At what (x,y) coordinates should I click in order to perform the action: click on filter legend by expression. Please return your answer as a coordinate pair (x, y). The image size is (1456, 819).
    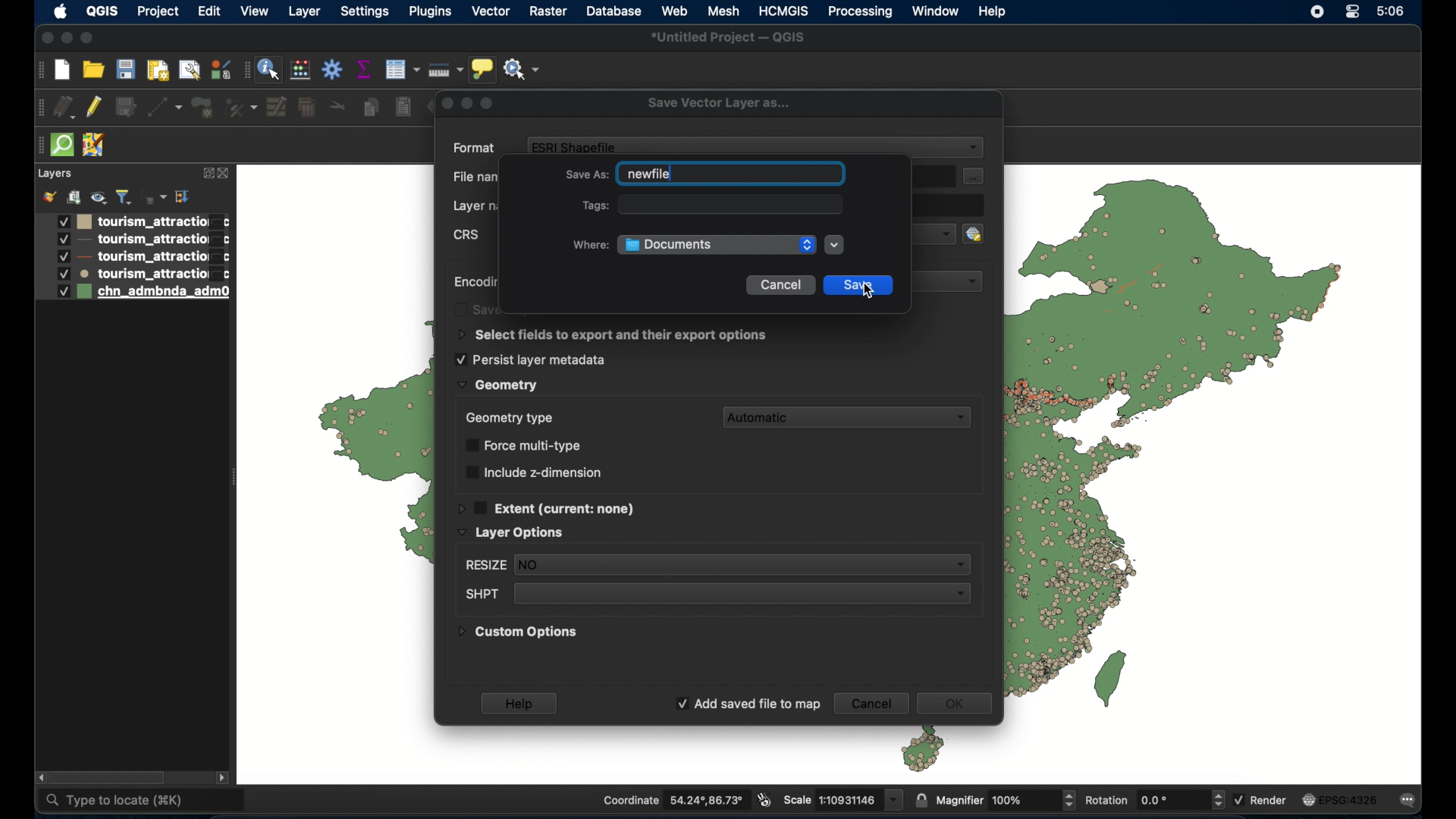
    Looking at the image, I should click on (154, 195).